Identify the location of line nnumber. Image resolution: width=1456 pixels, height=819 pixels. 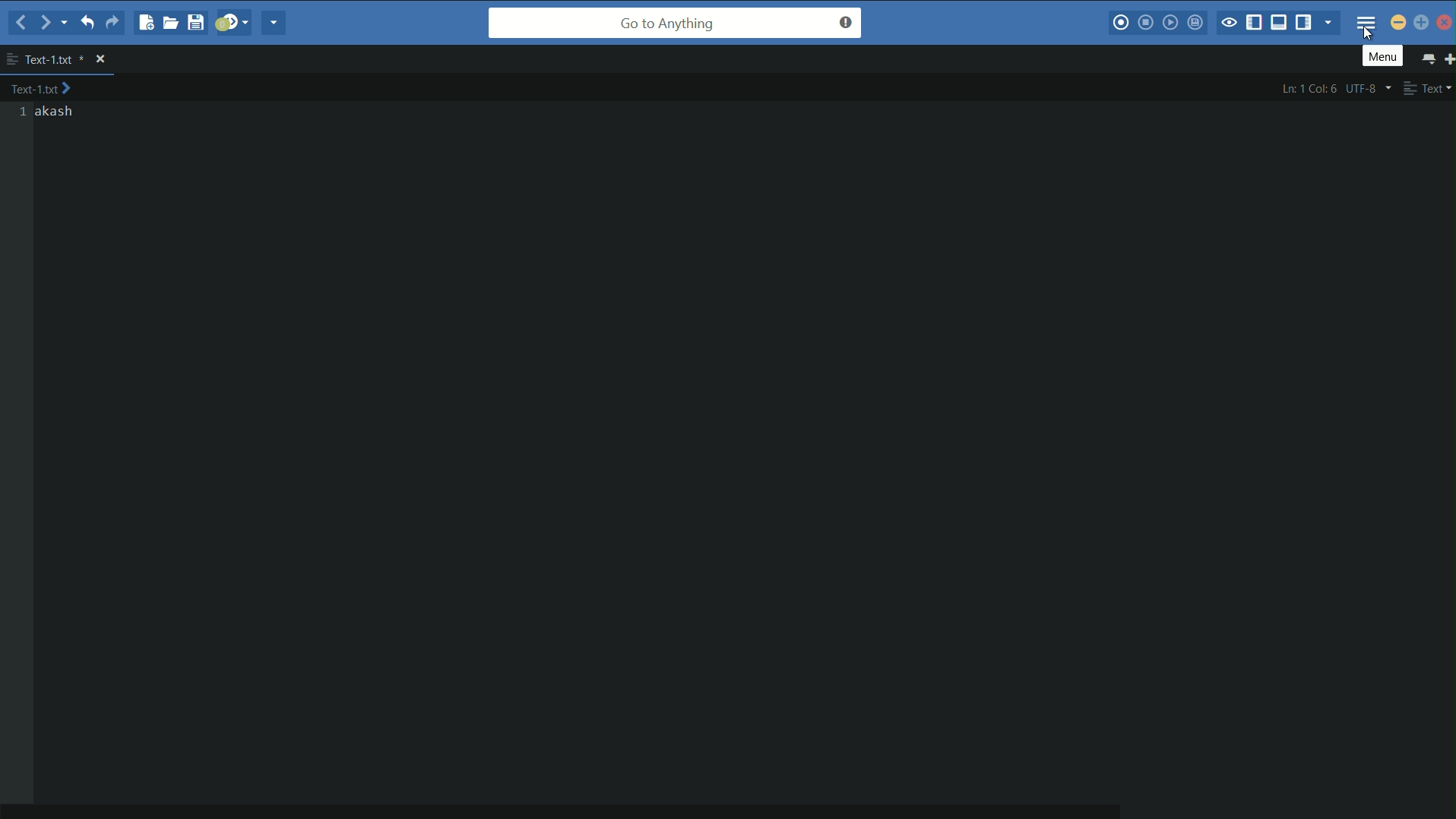
(24, 112).